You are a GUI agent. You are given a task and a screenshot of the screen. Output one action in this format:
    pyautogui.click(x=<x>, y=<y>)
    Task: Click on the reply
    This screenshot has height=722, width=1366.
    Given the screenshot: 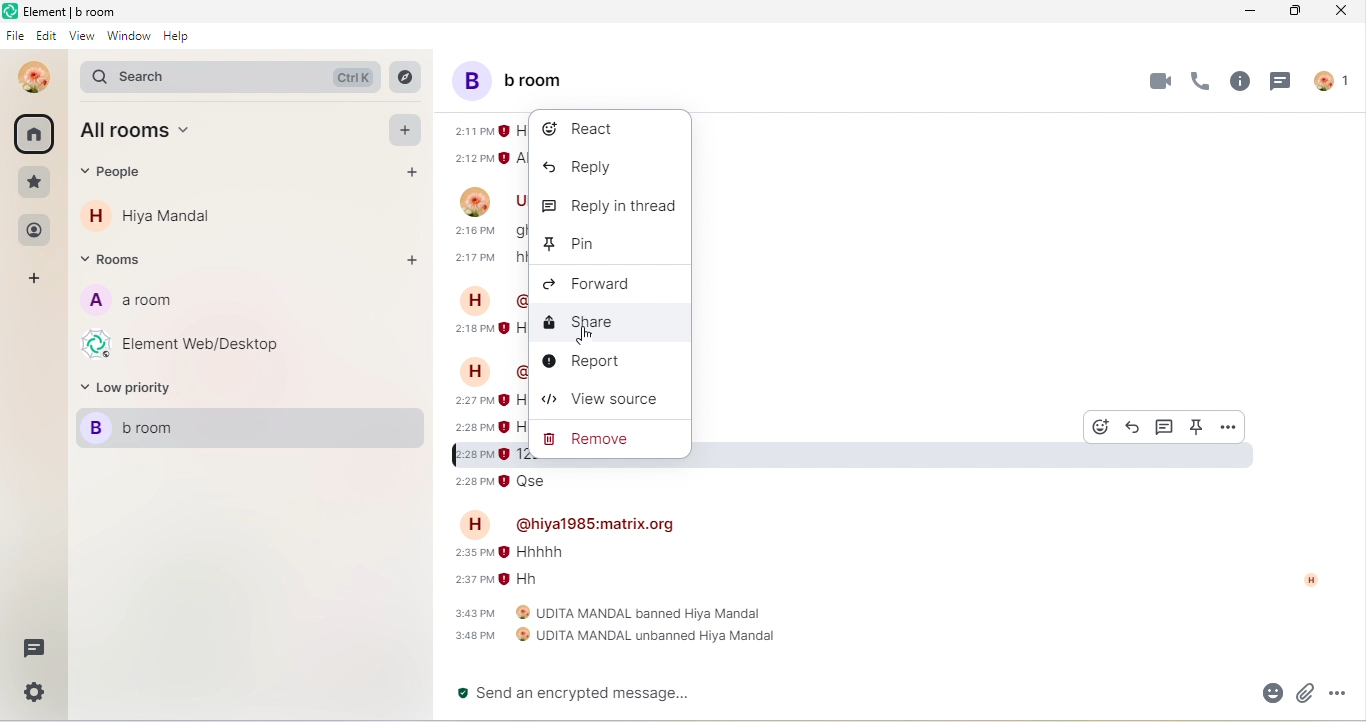 What is the action you would take?
    pyautogui.click(x=582, y=169)
    